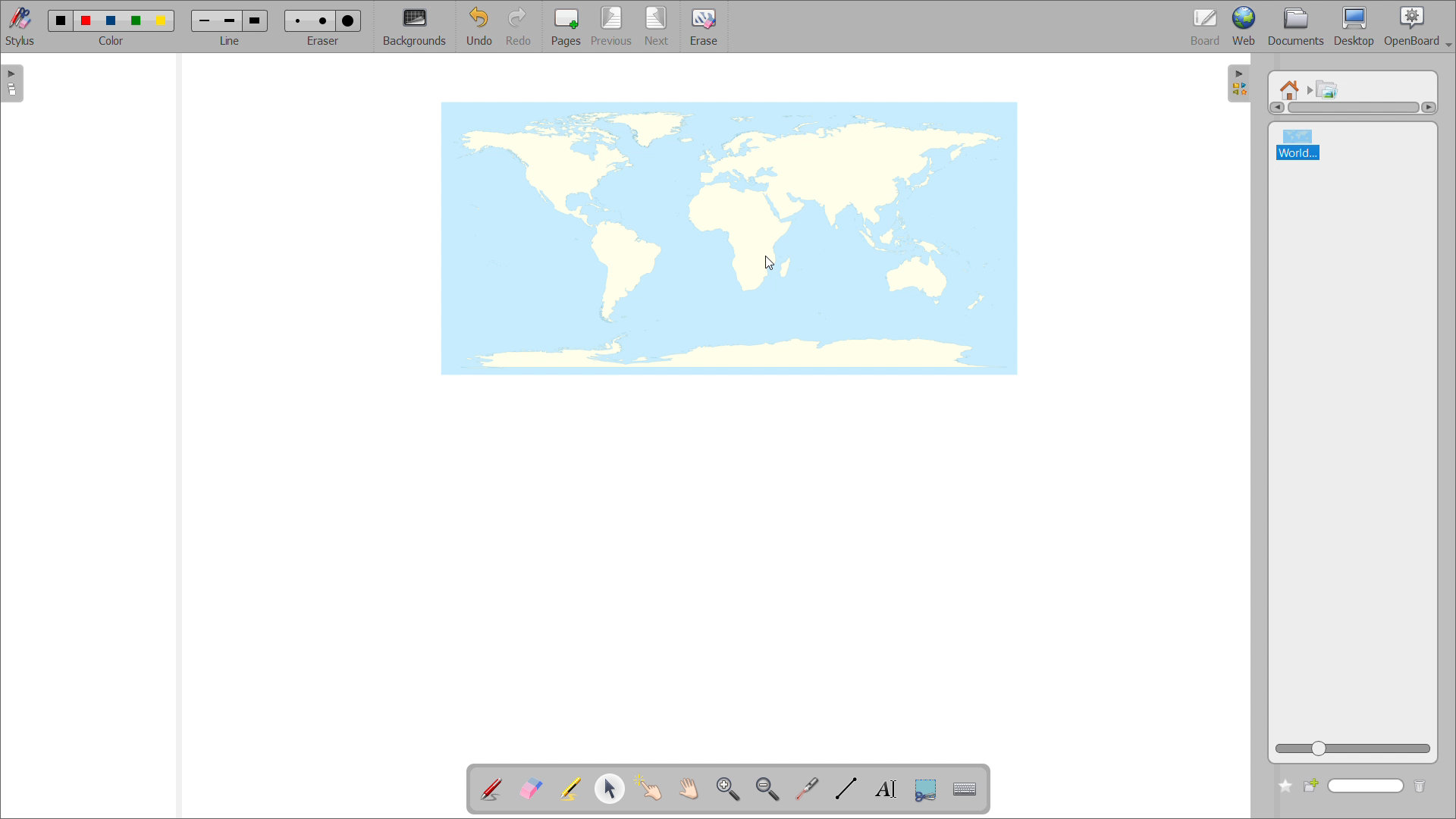  I want to click on image added, so click(732, 239).